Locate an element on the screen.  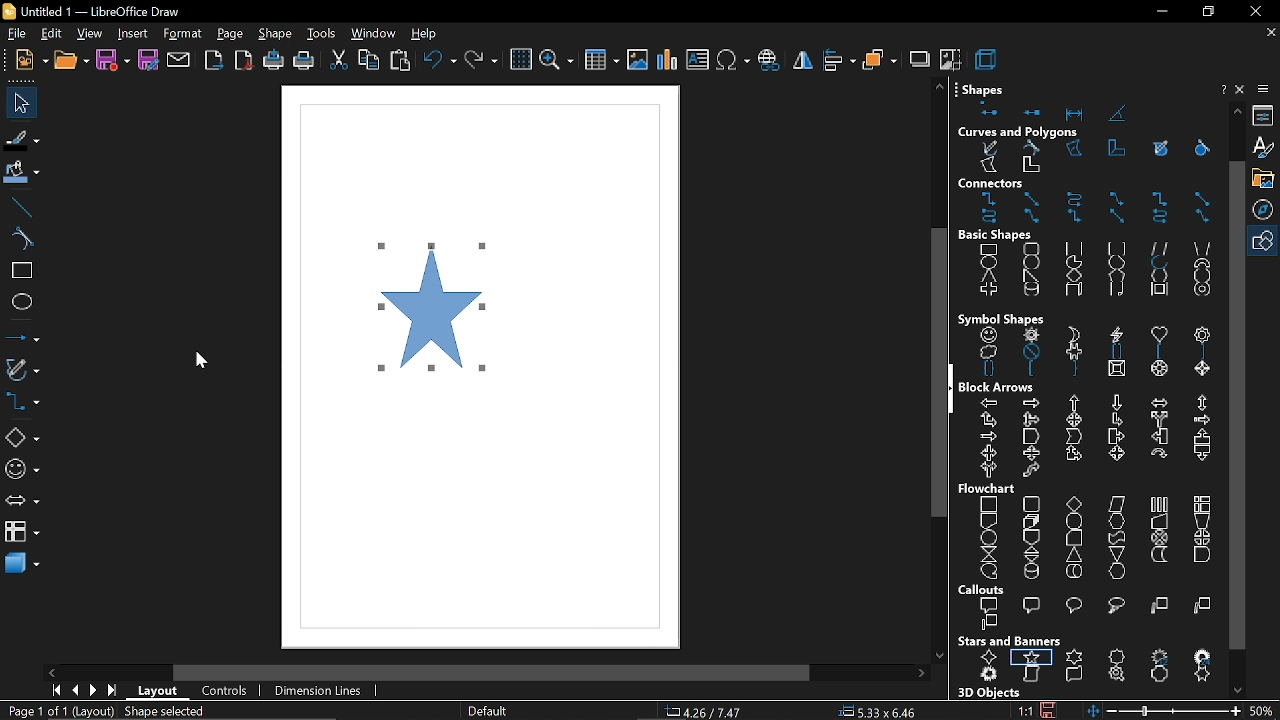
insert symbol is located at coordinates (734, 61).